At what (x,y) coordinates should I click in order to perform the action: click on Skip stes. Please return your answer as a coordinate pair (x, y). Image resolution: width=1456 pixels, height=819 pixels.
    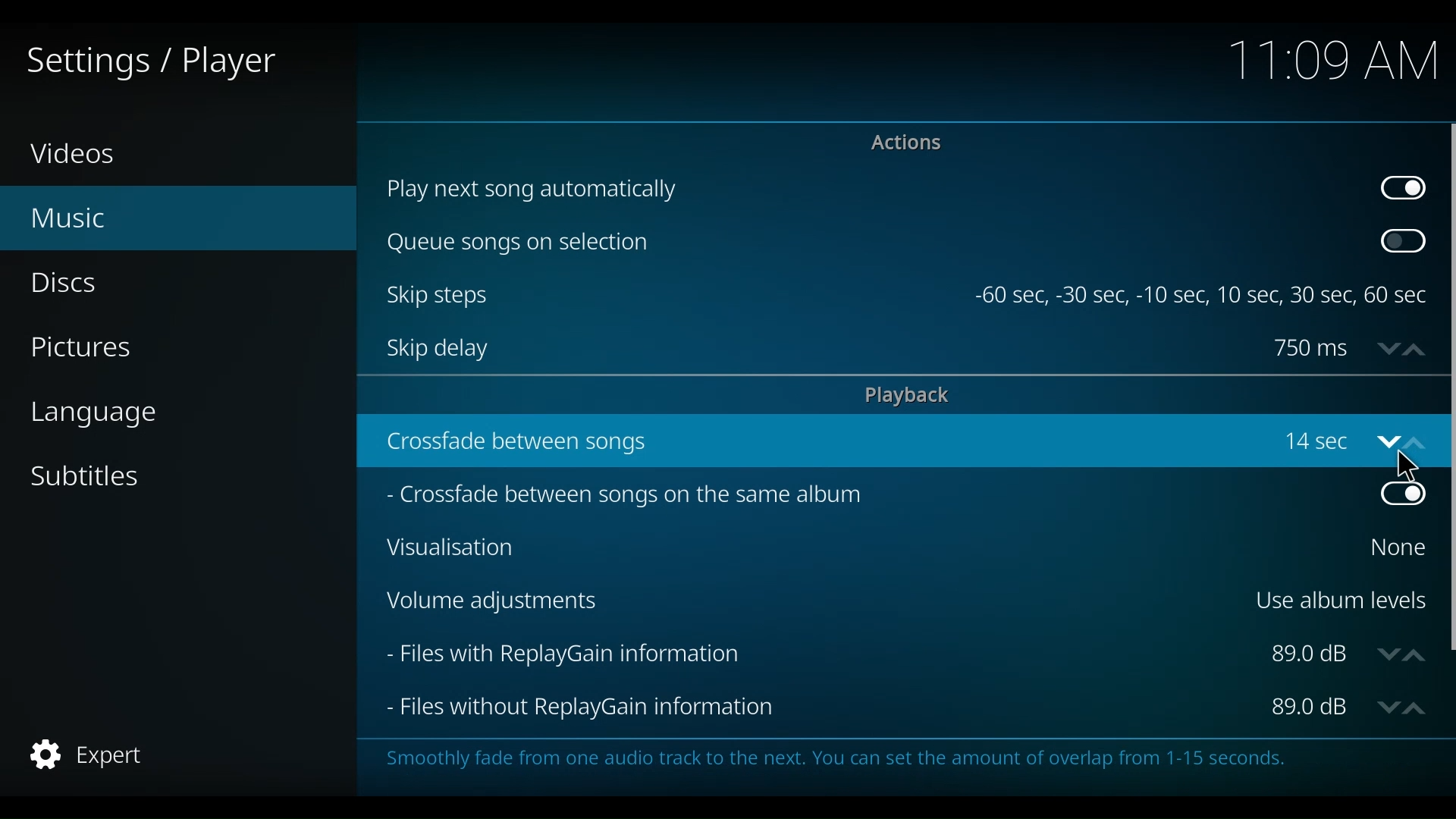
    Looking at the image, I should click on (674, 295).